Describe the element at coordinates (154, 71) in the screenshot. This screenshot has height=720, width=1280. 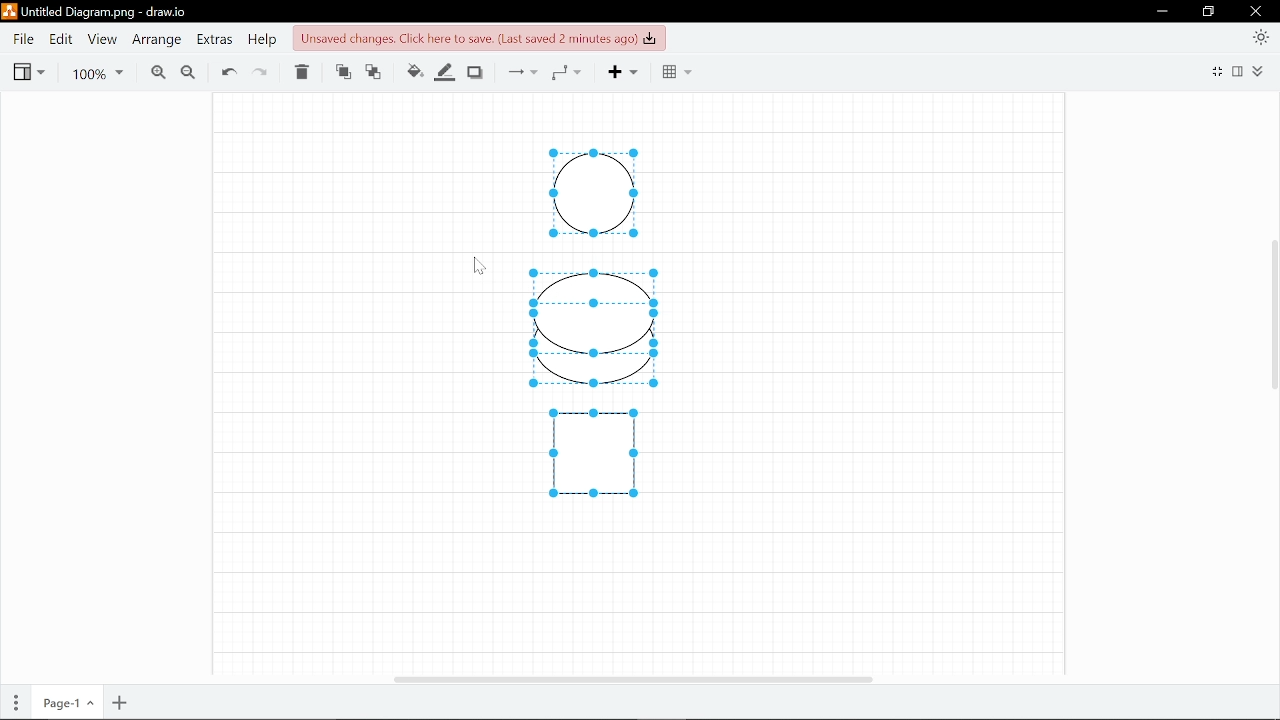
I see `Zoom in` at that location.